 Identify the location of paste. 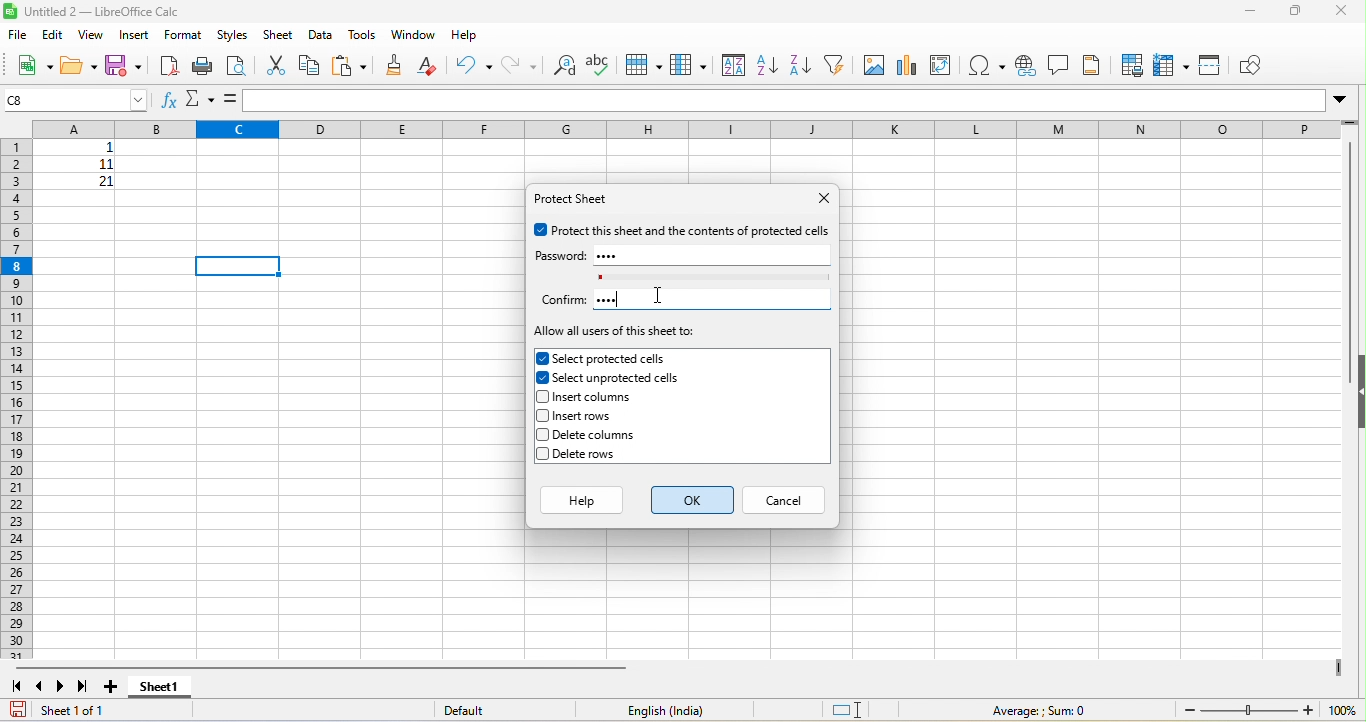
(349, 66).